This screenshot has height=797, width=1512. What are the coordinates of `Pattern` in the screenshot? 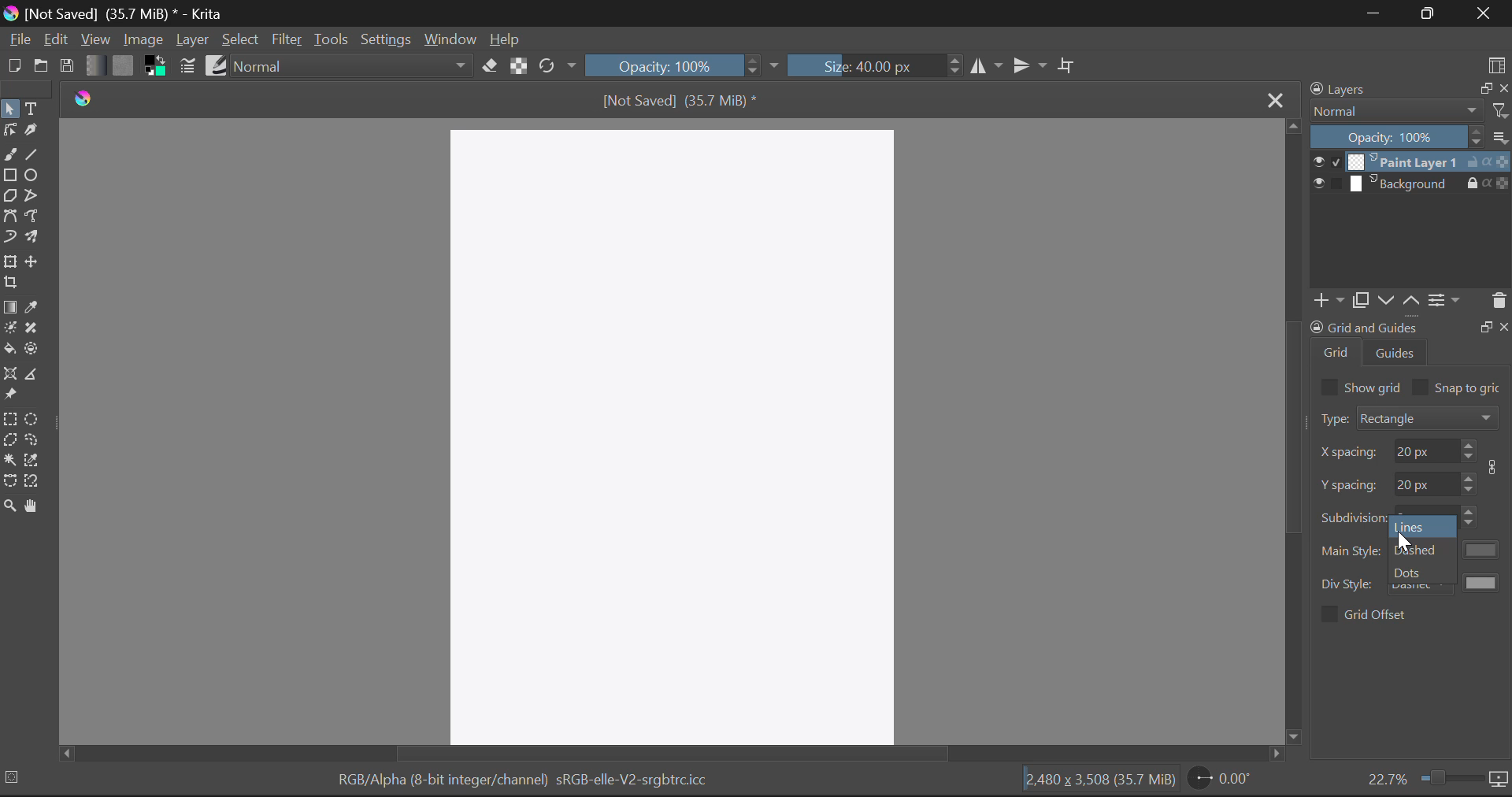 It's located at (124, 65).